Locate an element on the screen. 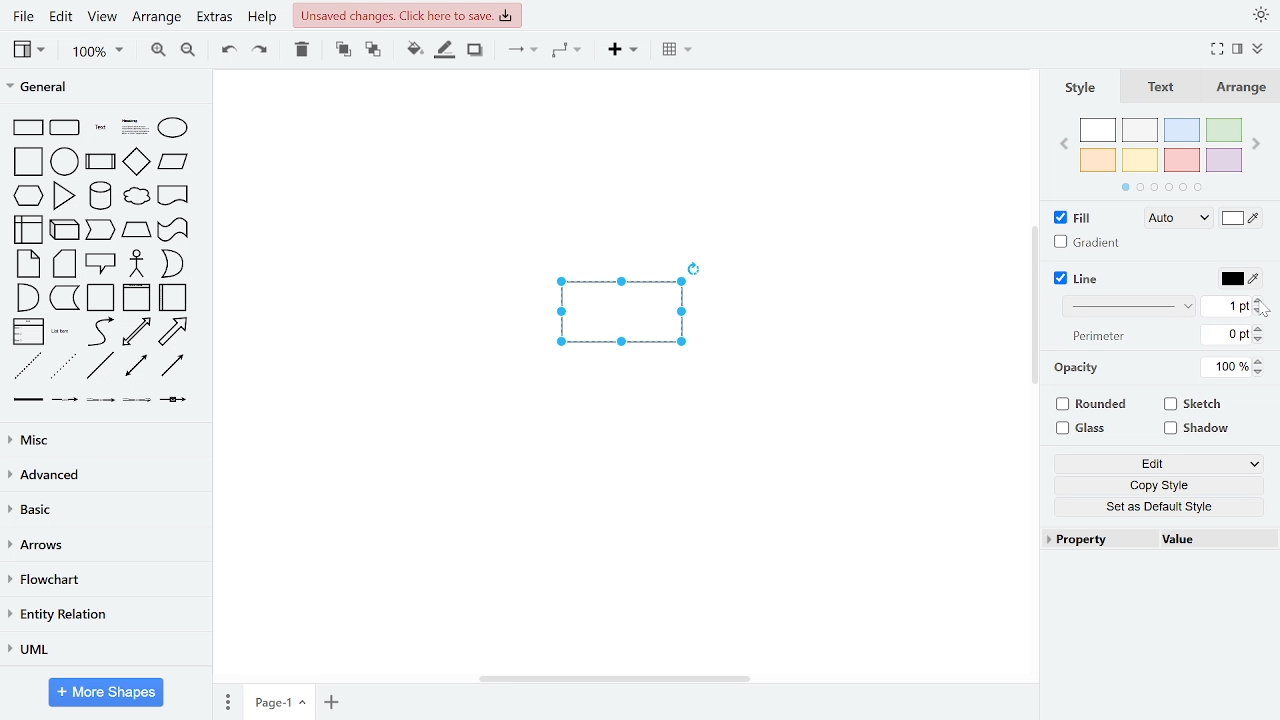 This screenshot has width=1280, height=720. general shapes is located at coordinates (135, 263).